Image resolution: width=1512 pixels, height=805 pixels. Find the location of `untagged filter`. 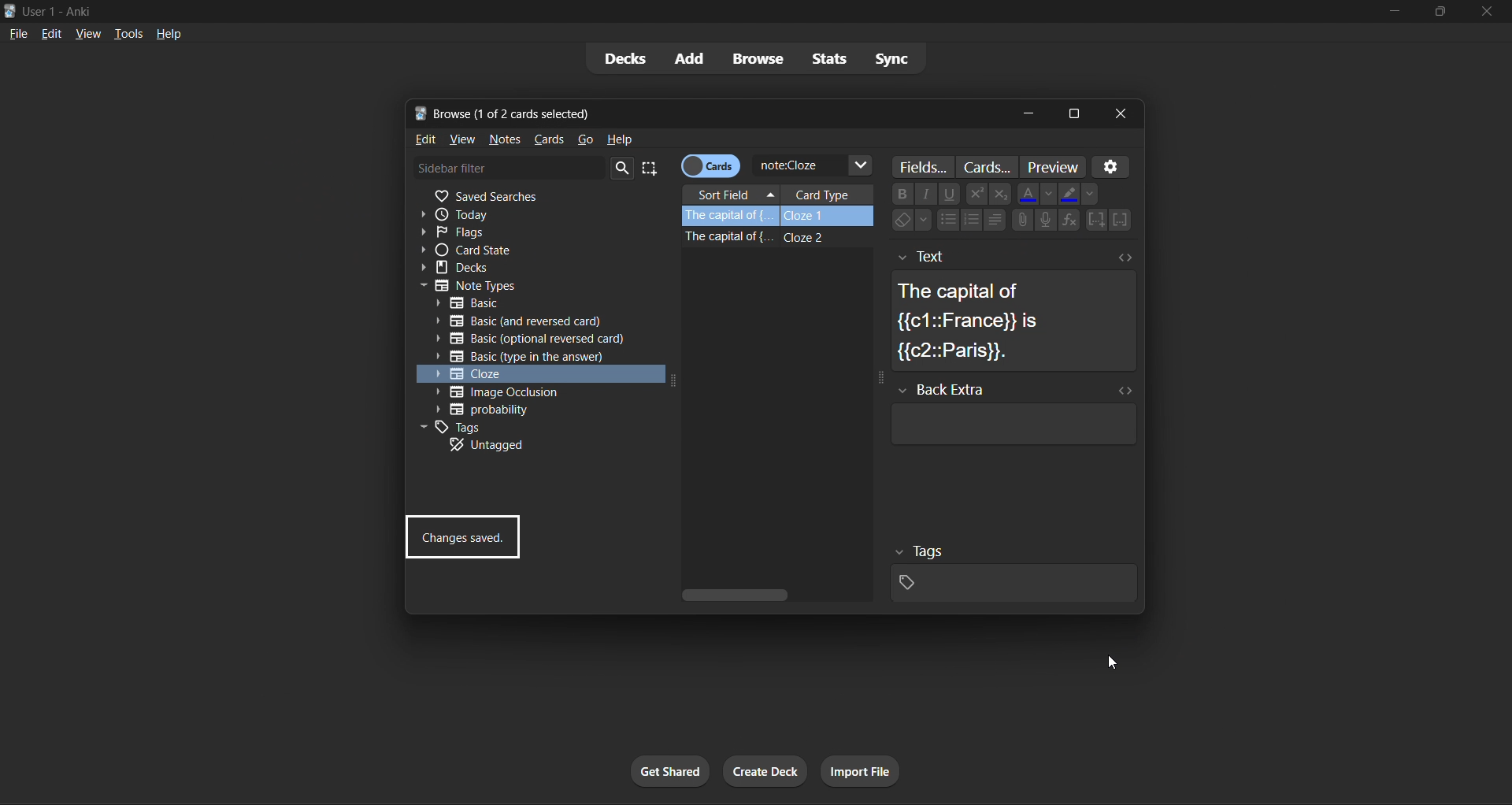

untagged filter is located at coordinates (528, 444).